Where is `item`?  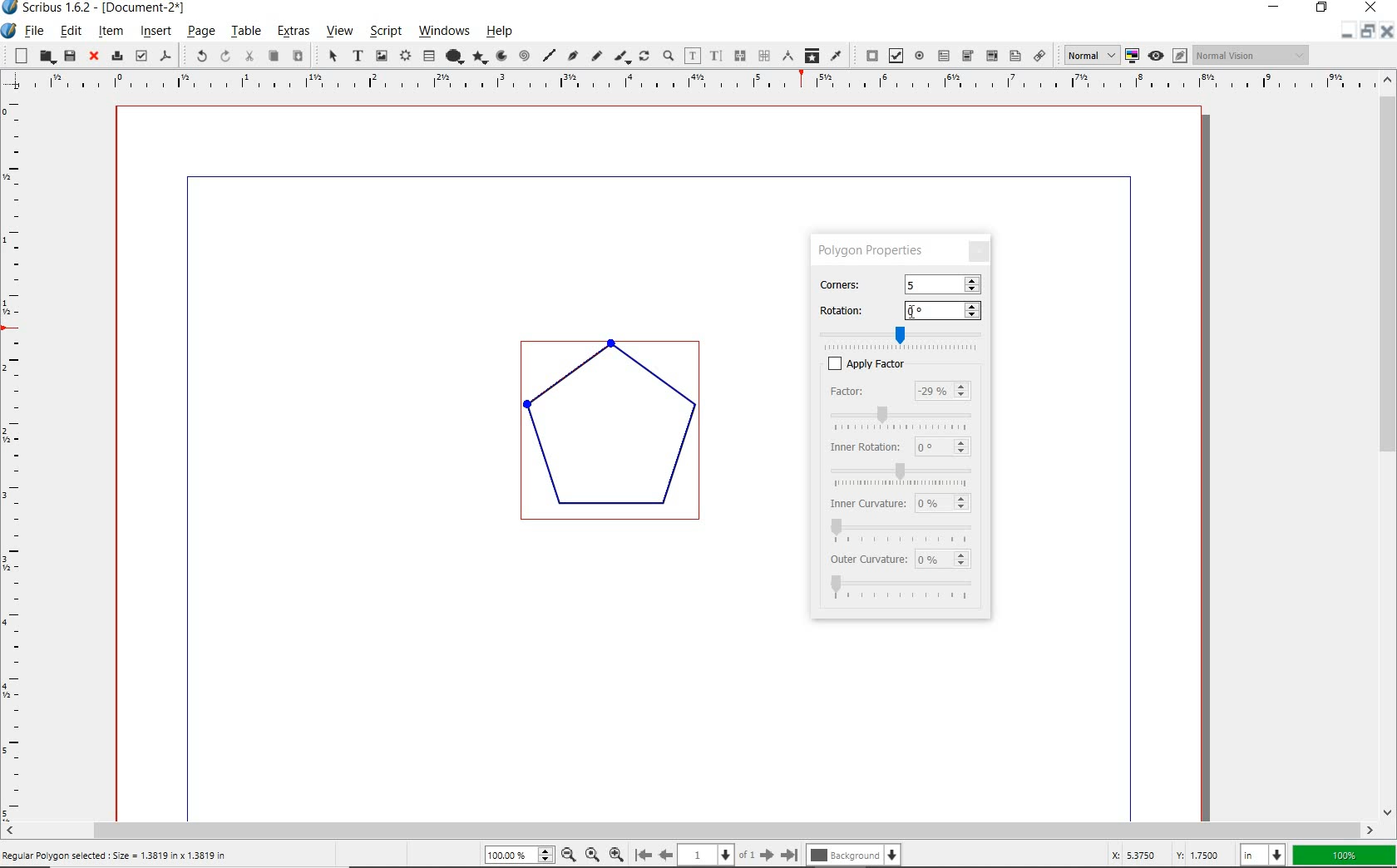
item is located at coordinates (111, 33).